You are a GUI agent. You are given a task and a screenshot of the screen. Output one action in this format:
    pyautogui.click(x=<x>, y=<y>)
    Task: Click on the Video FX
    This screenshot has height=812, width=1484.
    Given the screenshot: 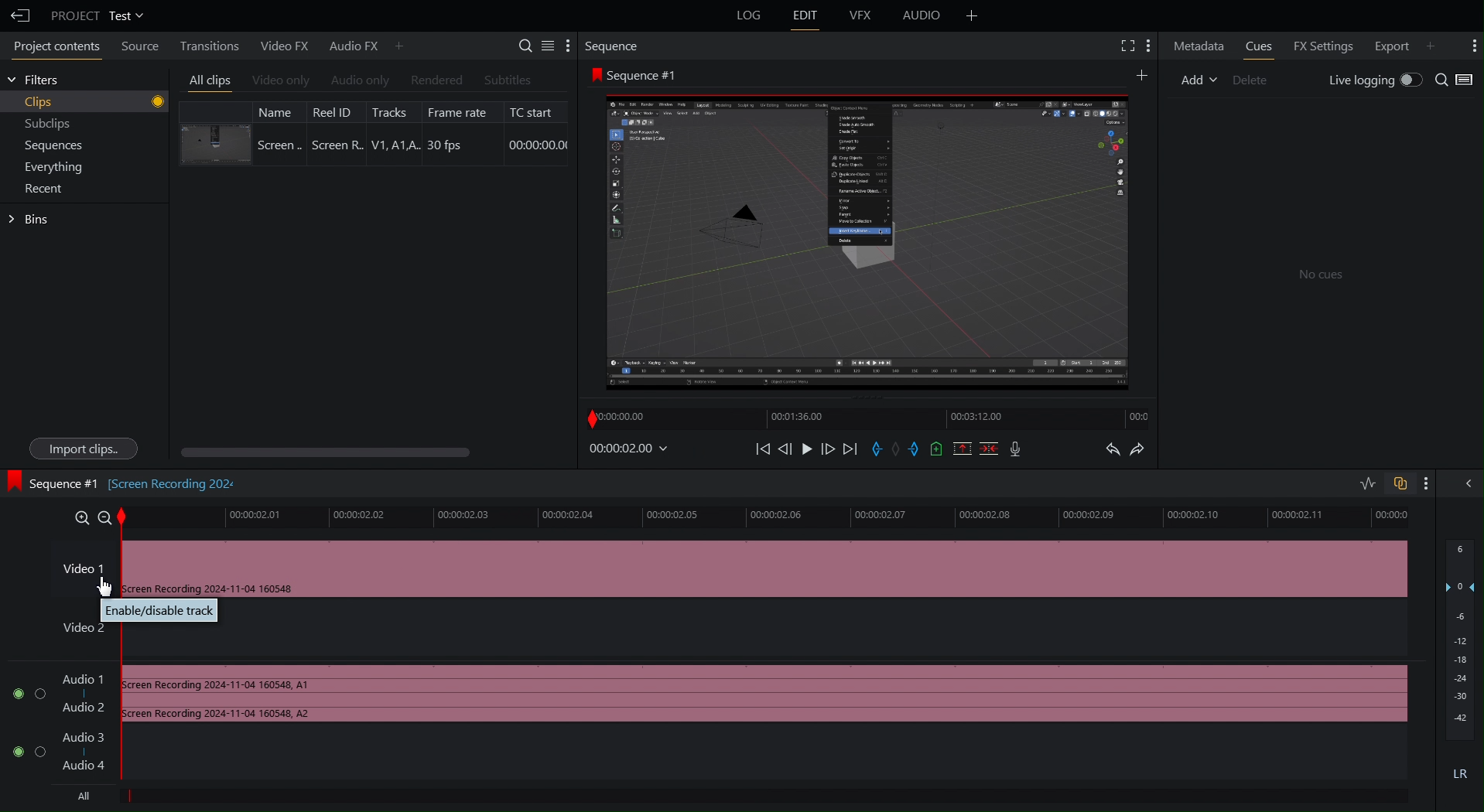 What is the action you would take?
    pyautogui.click(x=284, y=45)
    